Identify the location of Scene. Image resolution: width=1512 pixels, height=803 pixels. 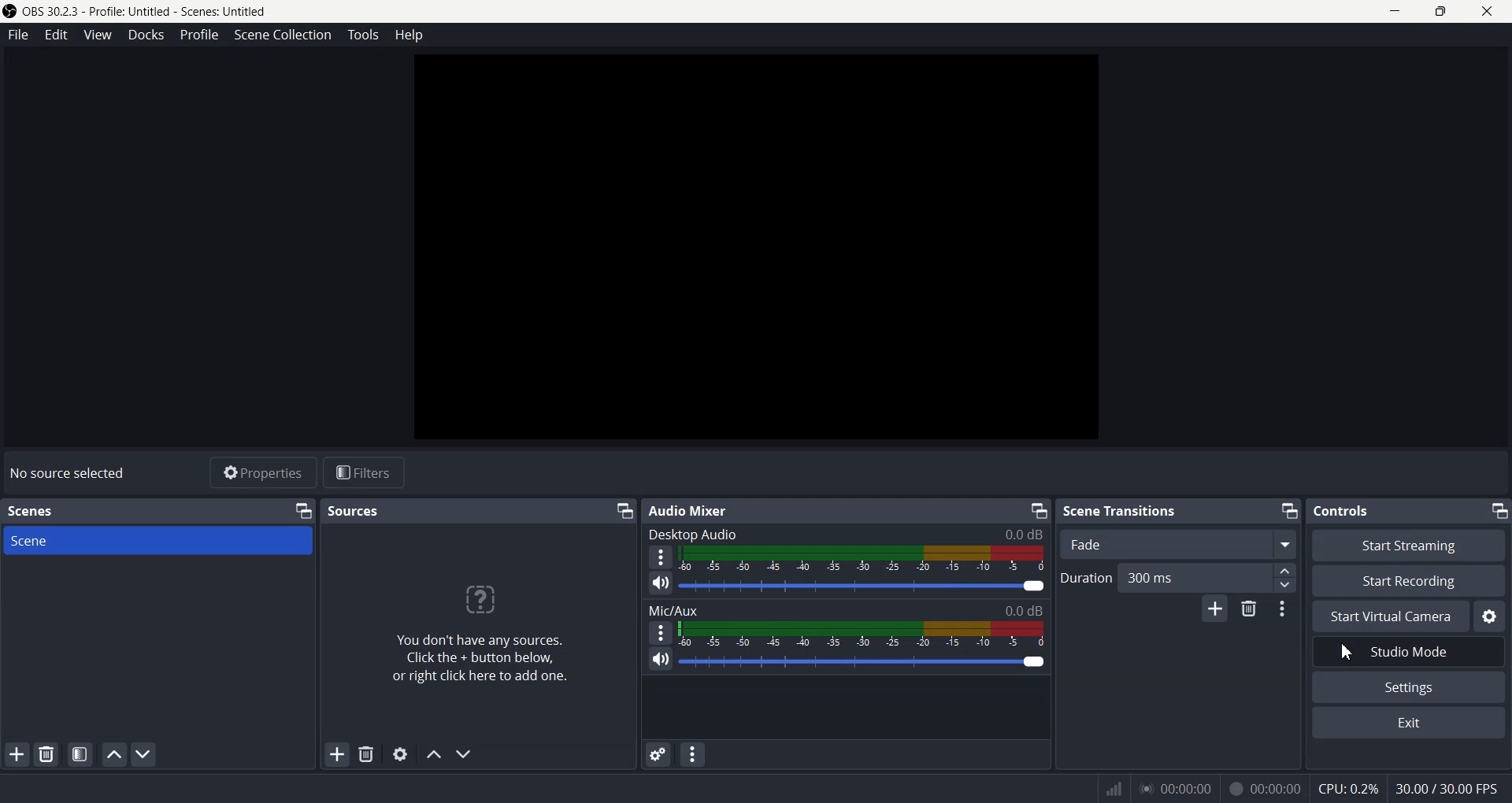
(157, 541).